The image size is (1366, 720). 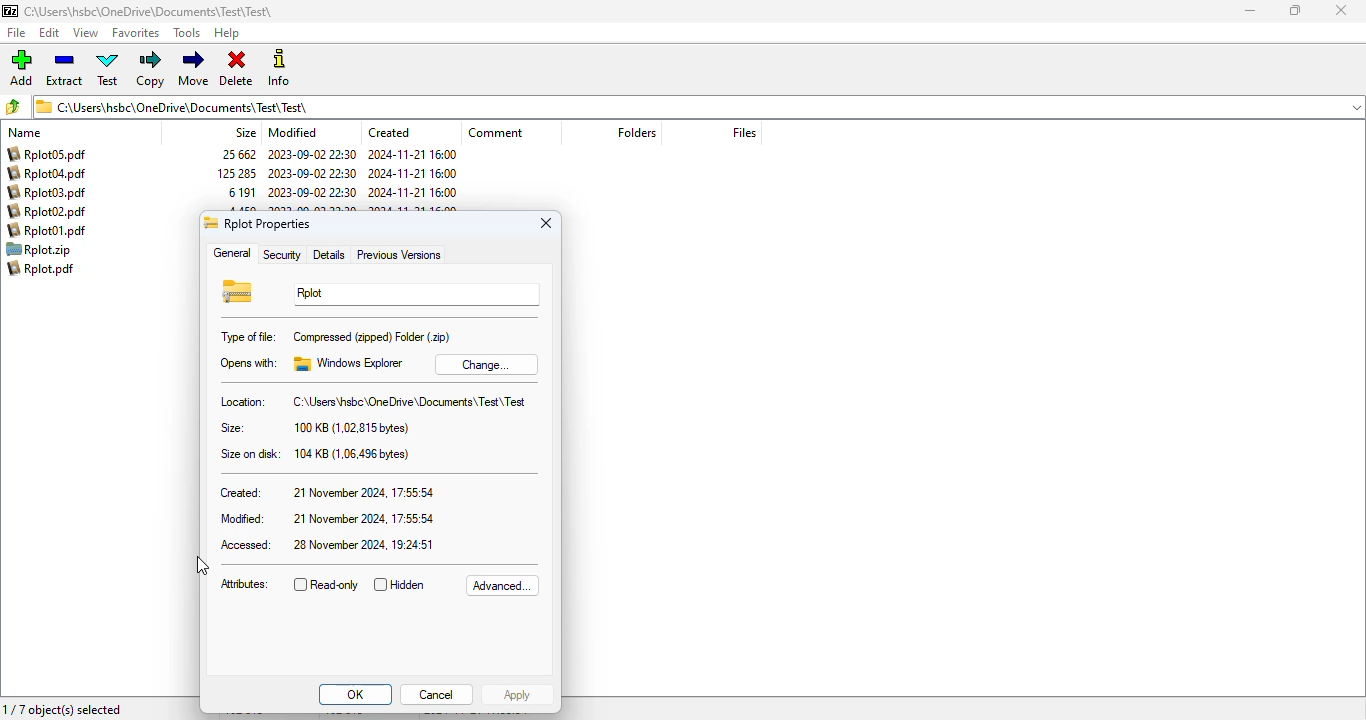 I want to click on comment, so click(x=495, y=132).